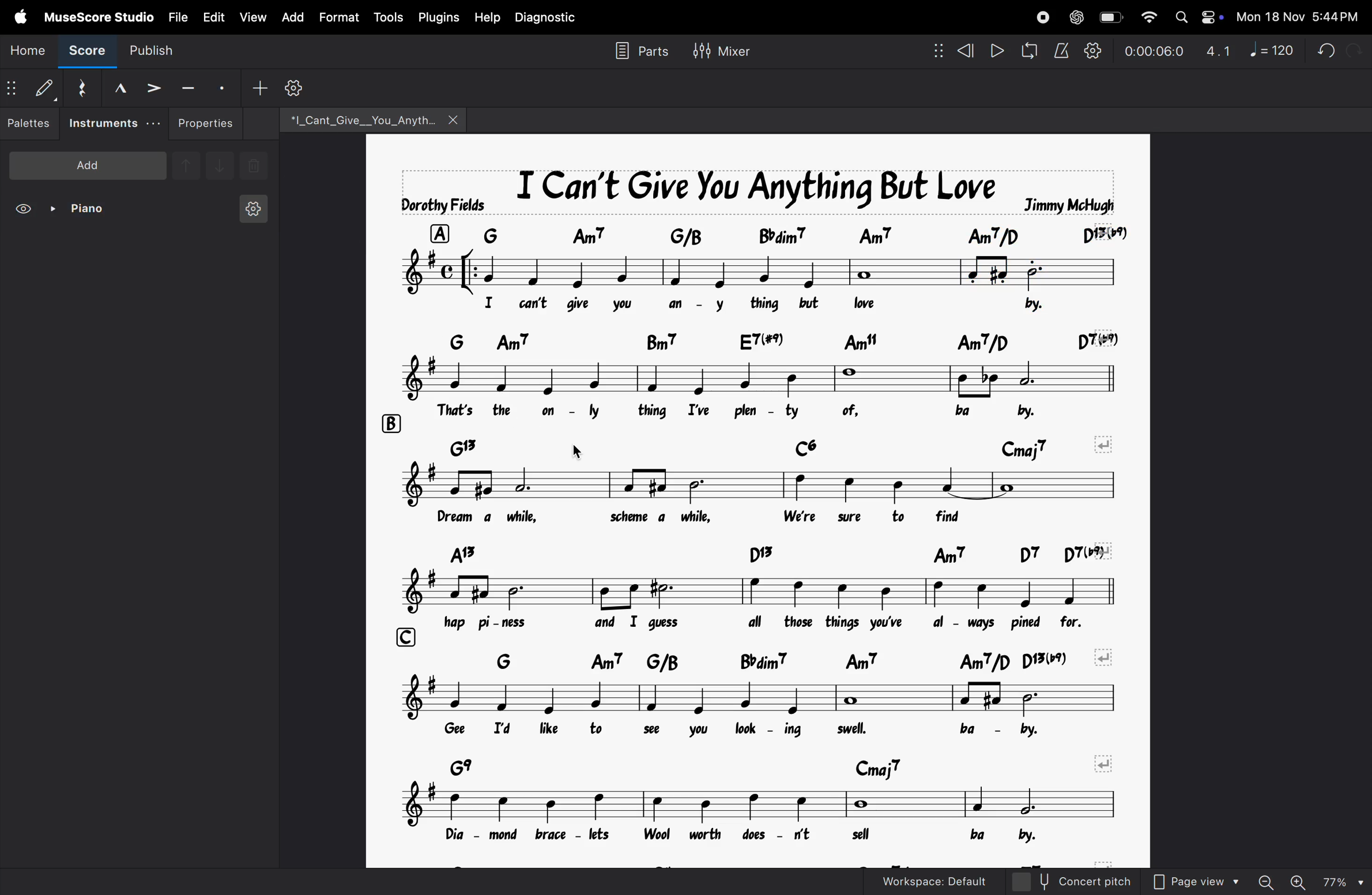 This screenshot has width=1372, height=895. What do you see at coordinates (488, 18) in the screenshot?
I see `help` at bounding box center [488, 18].